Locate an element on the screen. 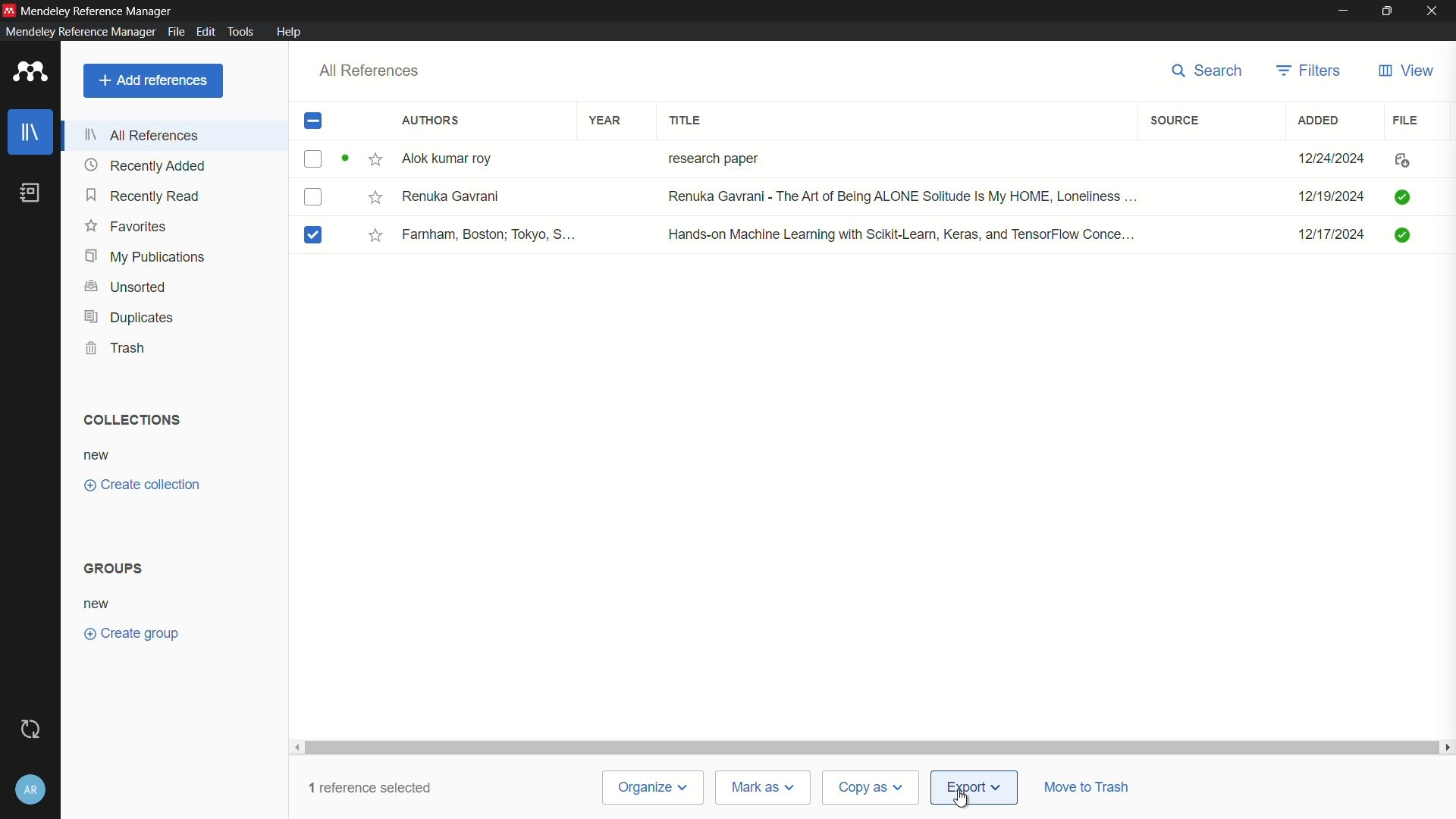 The width and height of the screenshot is (1456, 819). minimize is located at coordinates (1341, 9).